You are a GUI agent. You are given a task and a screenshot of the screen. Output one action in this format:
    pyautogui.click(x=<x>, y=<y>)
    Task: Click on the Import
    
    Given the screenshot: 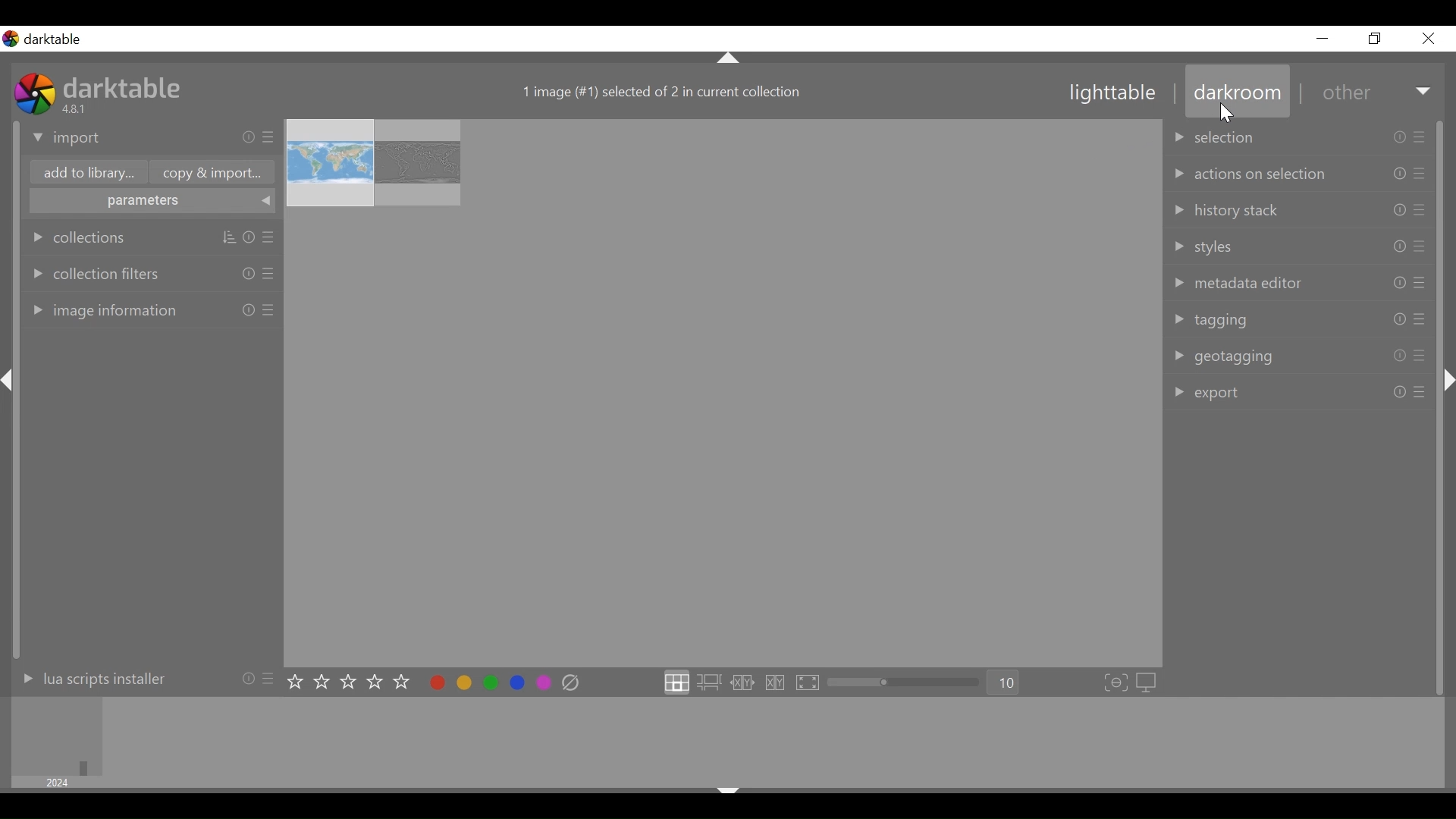 What is the action you would take?
    pyautogui.click(x=152, y=139)
    